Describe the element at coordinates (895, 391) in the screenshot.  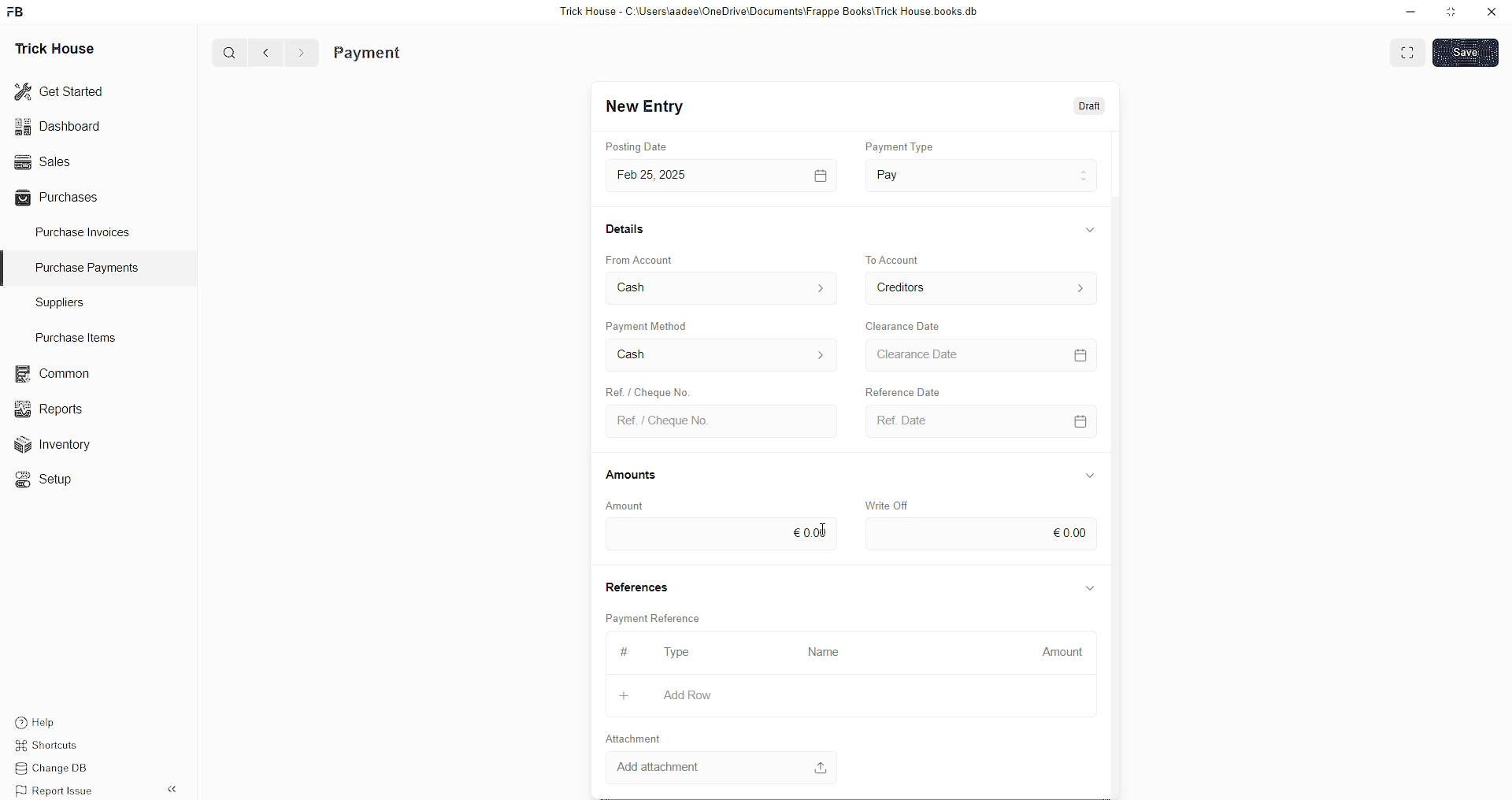
I see `Reference Date` at that location.